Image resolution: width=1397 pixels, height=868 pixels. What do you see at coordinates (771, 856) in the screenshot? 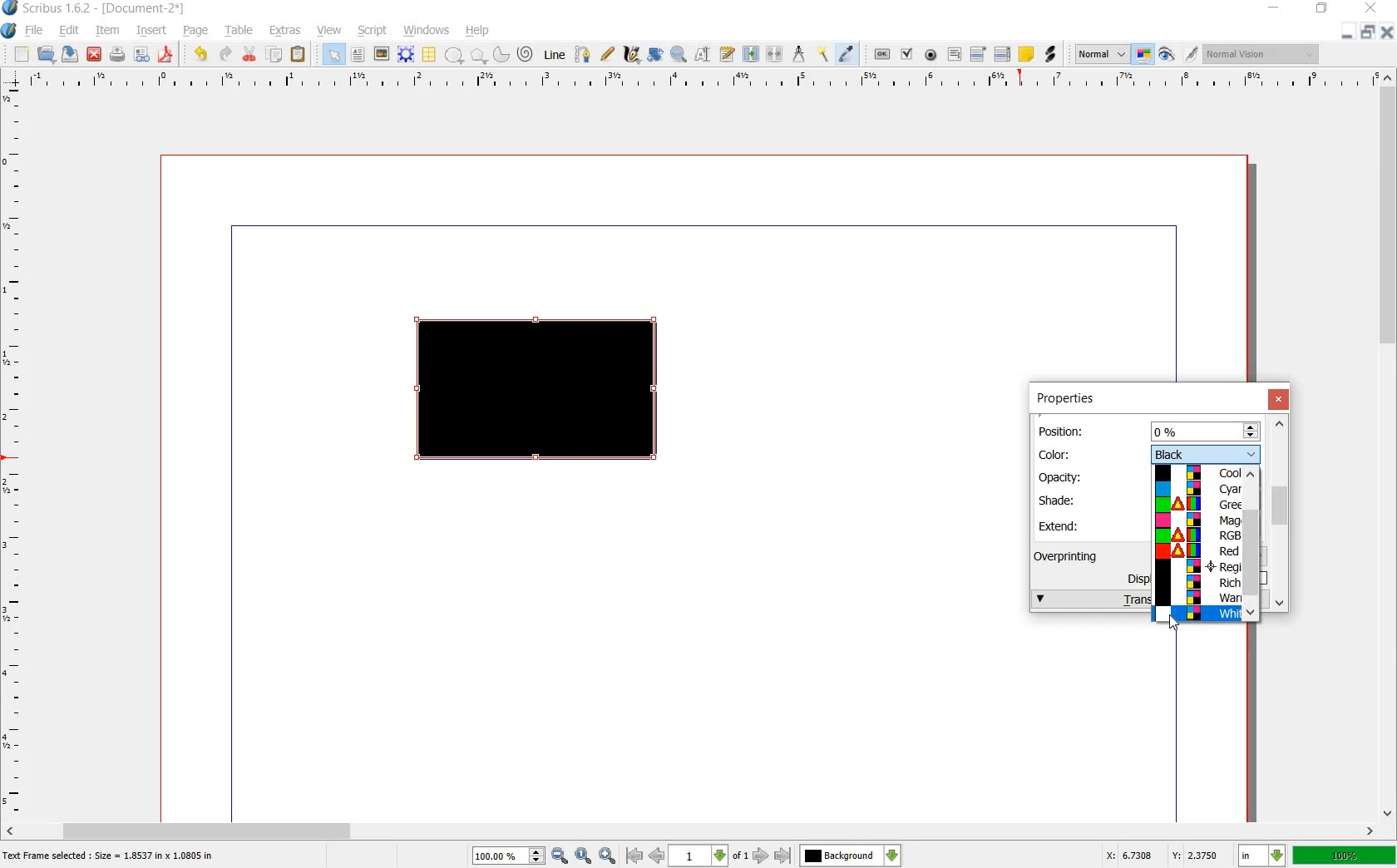
I see `go to next or last page` at bounding box center [771, 856].